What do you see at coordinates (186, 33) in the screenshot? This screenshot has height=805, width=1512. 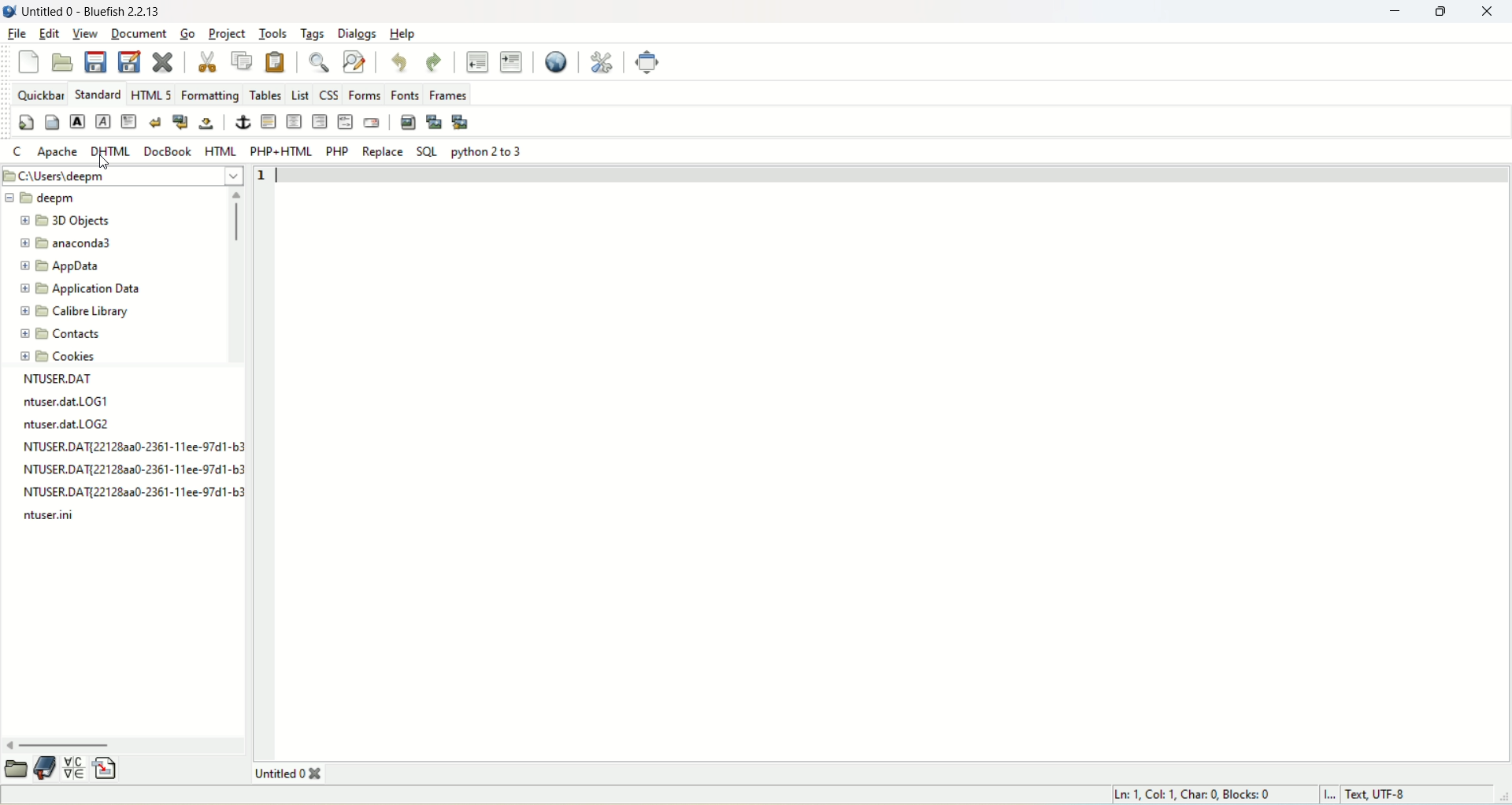 I see `go` at bounding box center [186, 33].